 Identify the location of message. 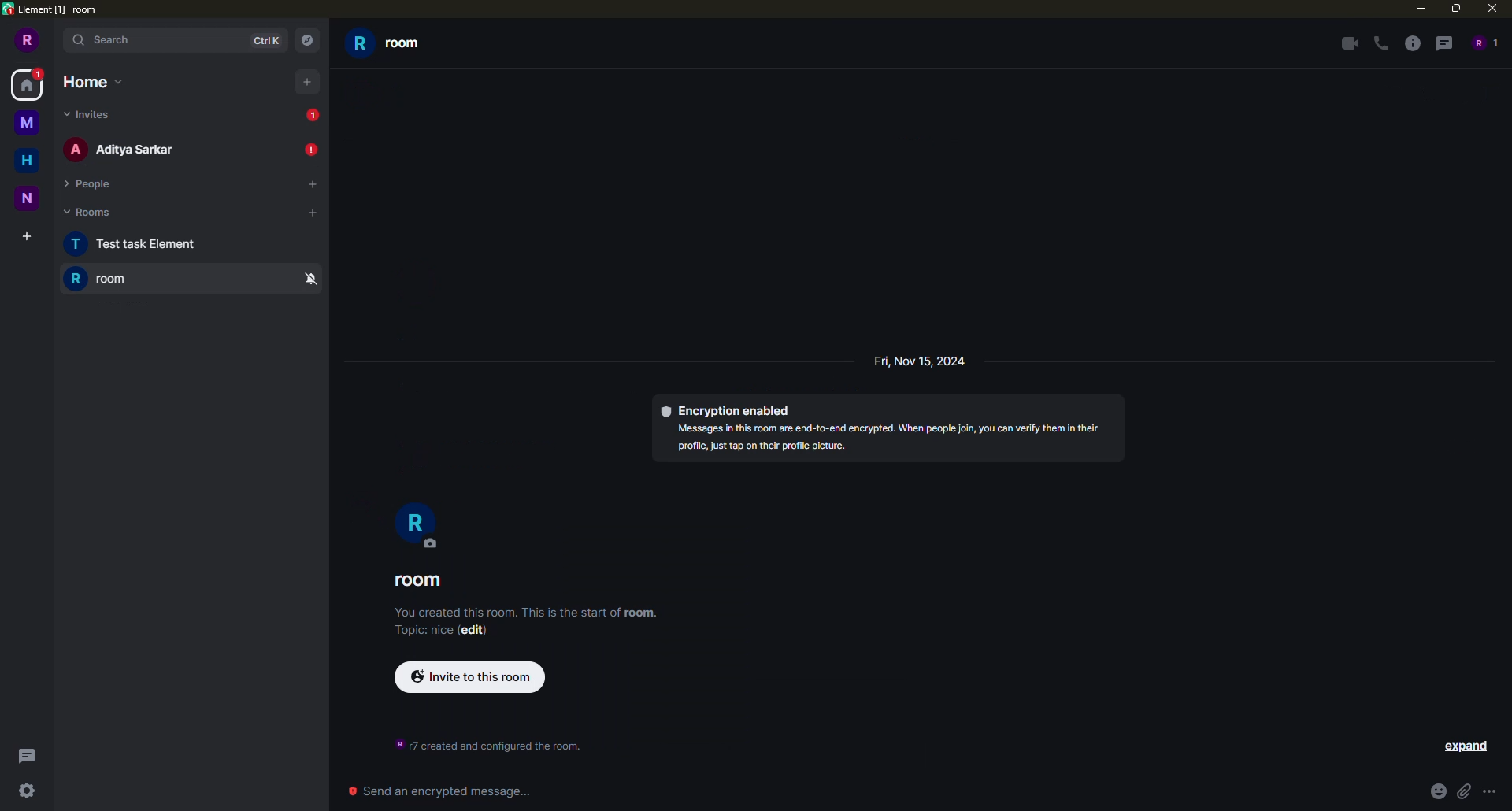
(28, 84).